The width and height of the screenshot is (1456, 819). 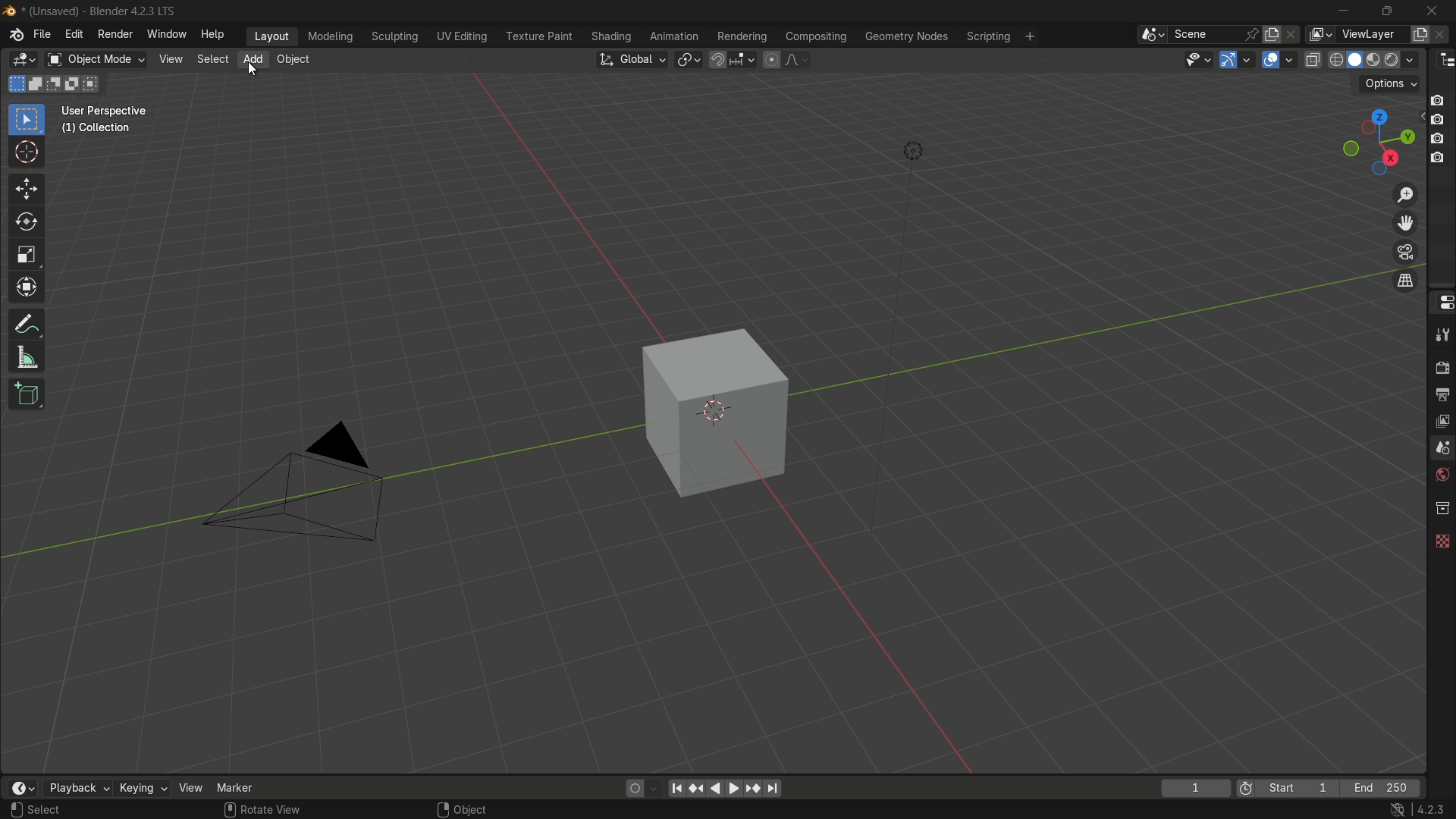 I want to click on invert existing selection, so click(x=75, y=83).